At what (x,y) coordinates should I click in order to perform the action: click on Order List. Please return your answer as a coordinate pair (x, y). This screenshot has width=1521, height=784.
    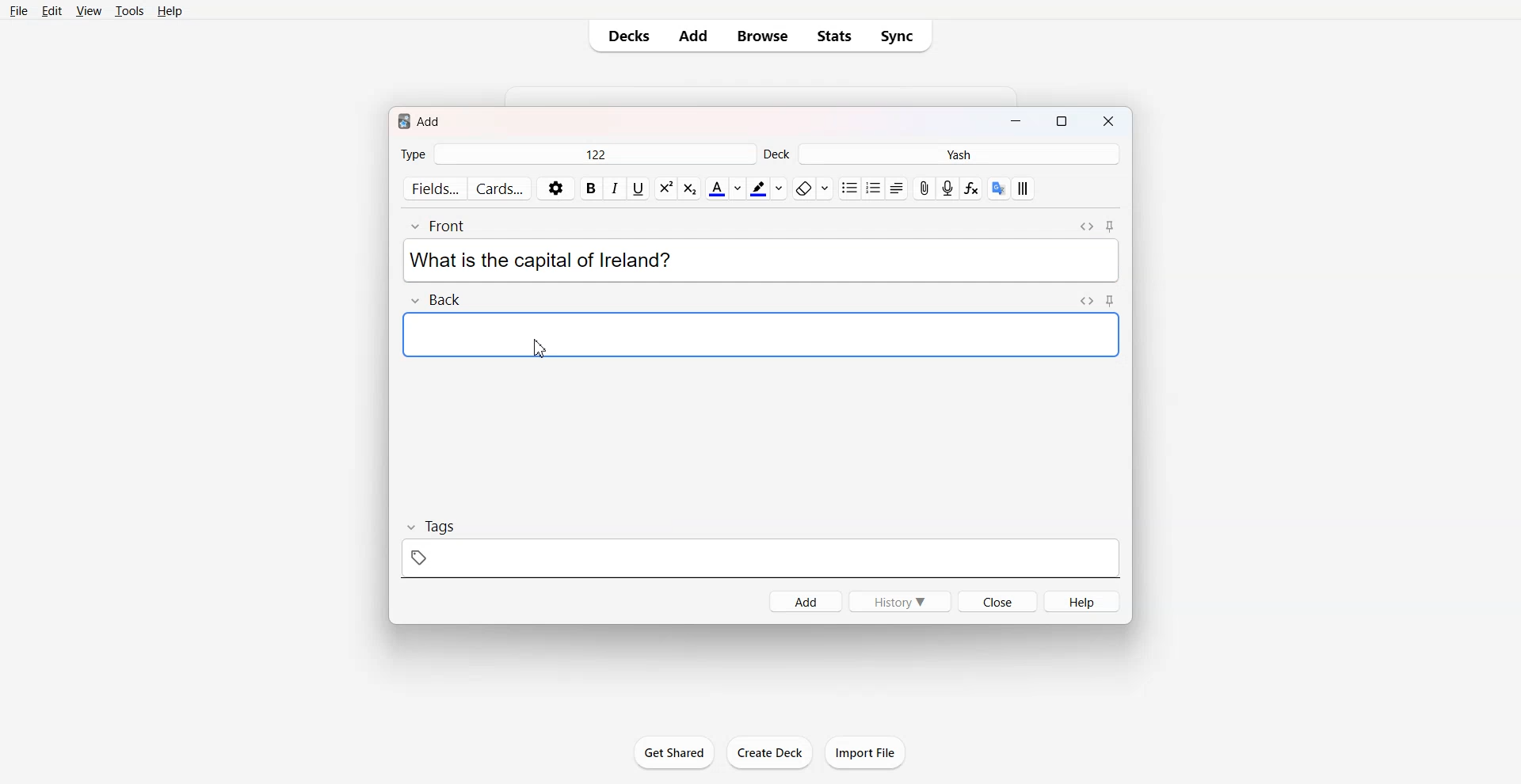
    Looking at the image, I should click on (873, 188).